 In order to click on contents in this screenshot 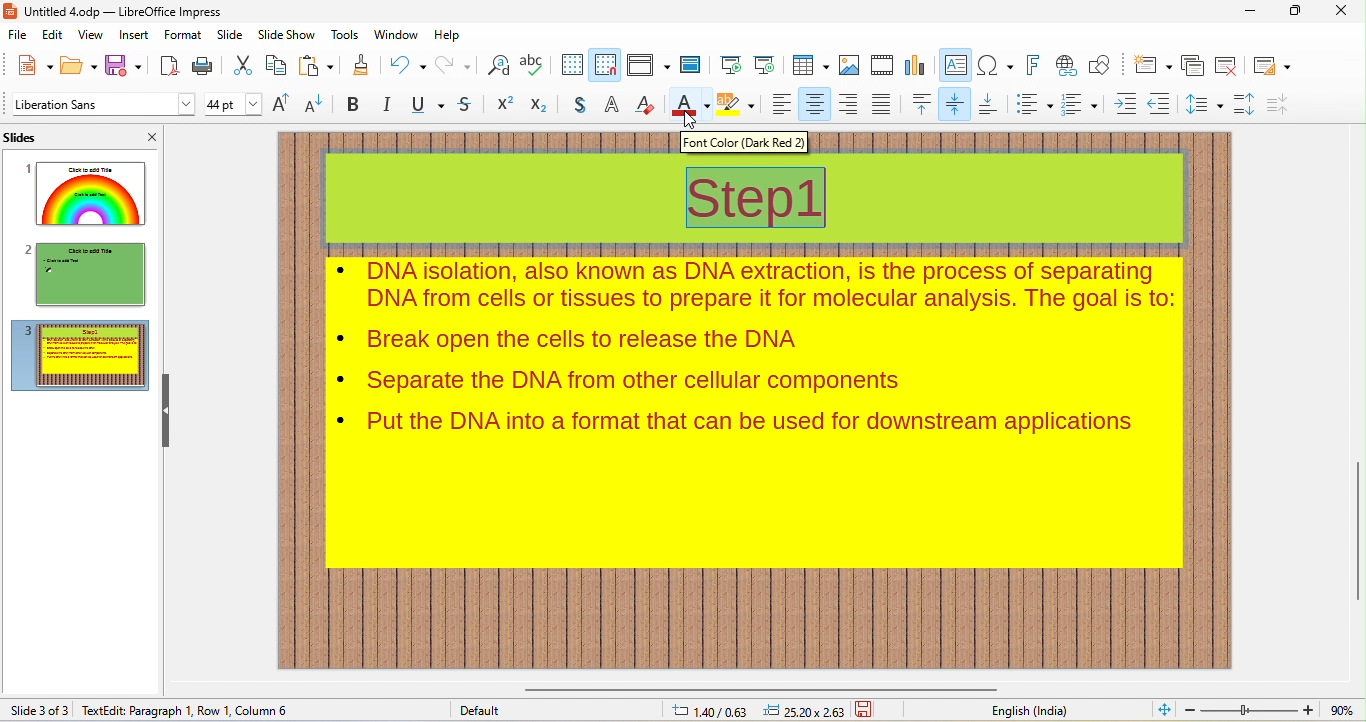, I will do `click(753, 344)`.